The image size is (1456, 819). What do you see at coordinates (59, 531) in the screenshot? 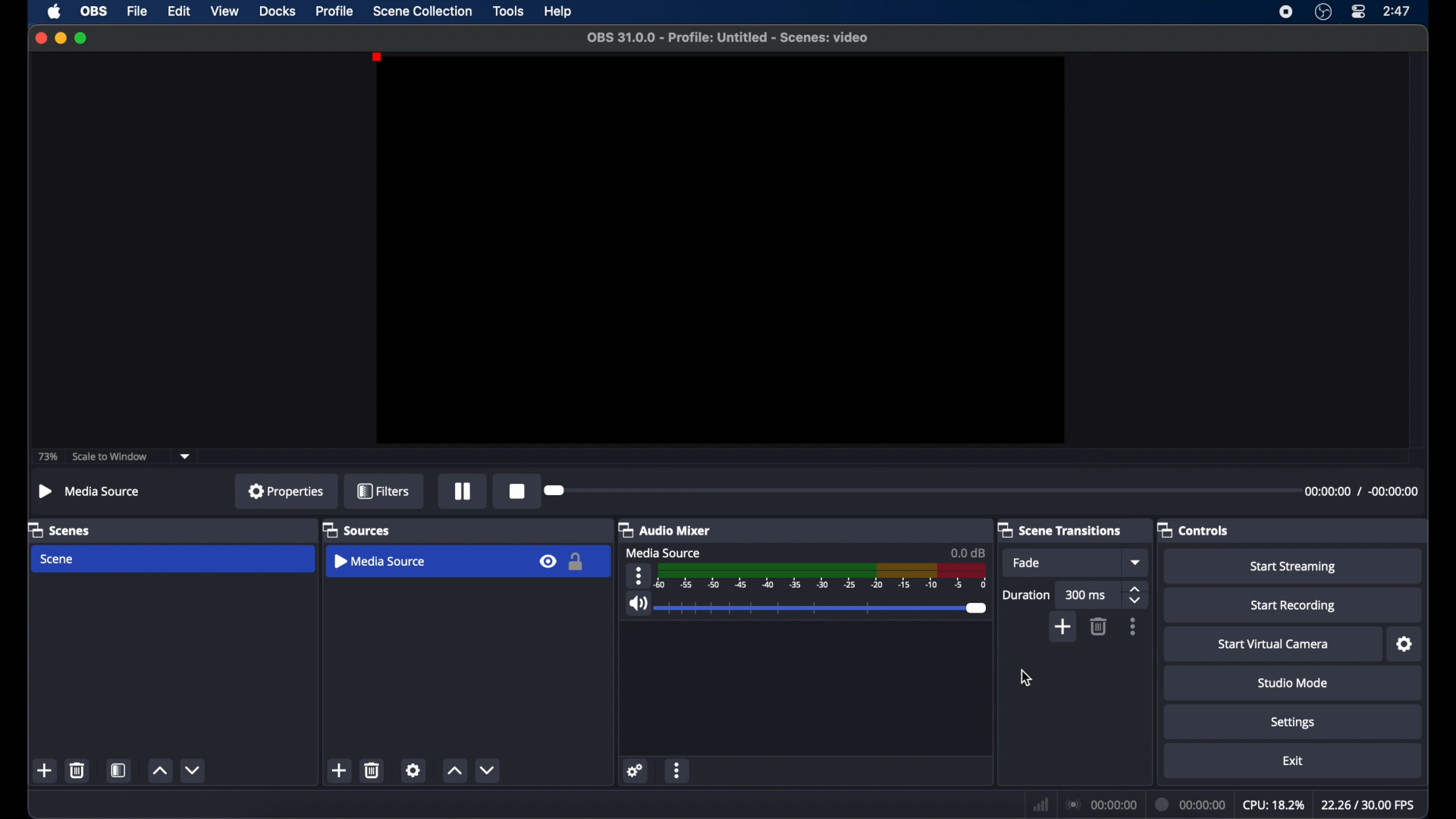
I see `scenes` at bounding box center [59, 531].